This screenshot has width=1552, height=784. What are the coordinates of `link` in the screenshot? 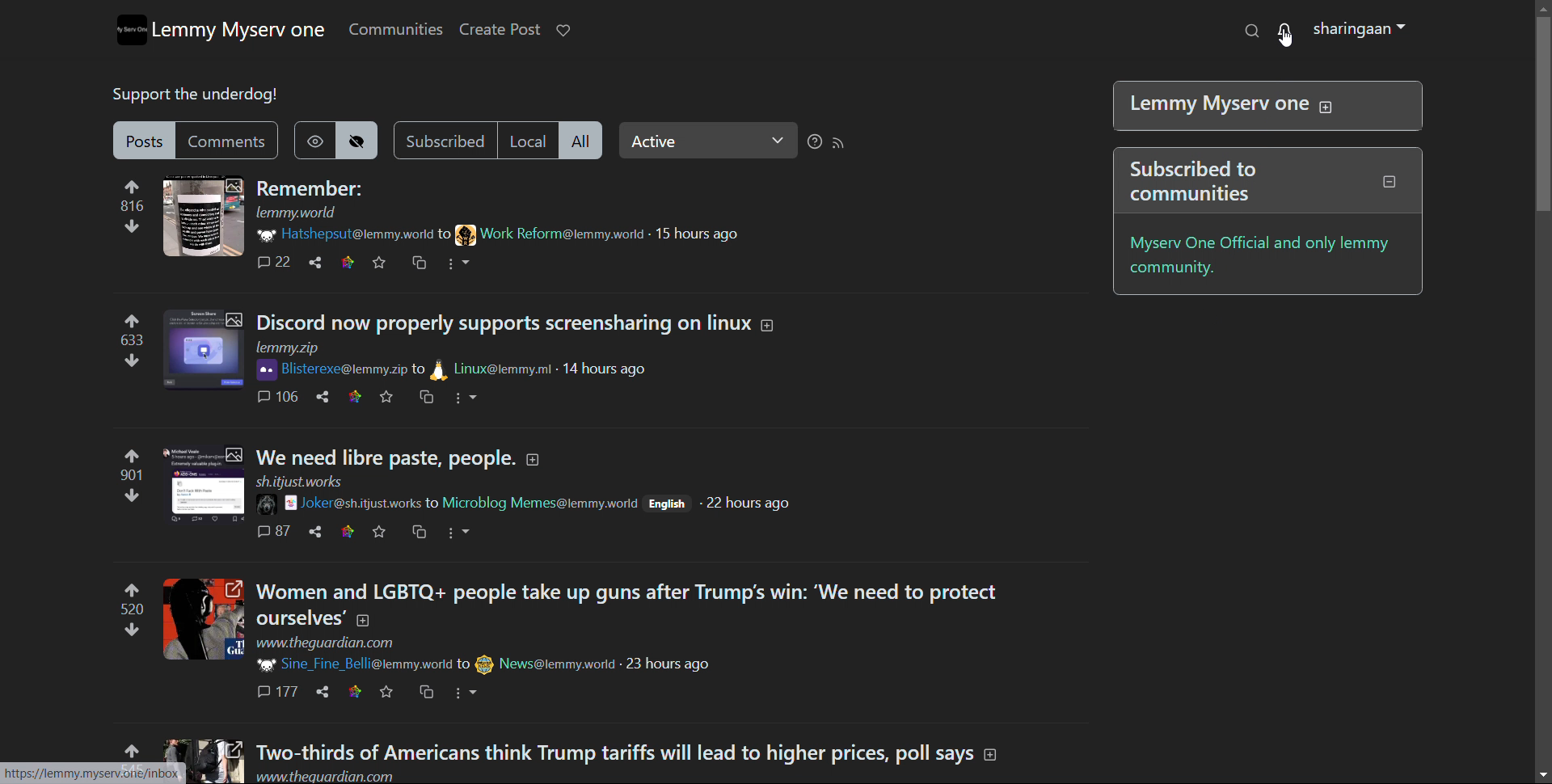 It's located at (347, 263).